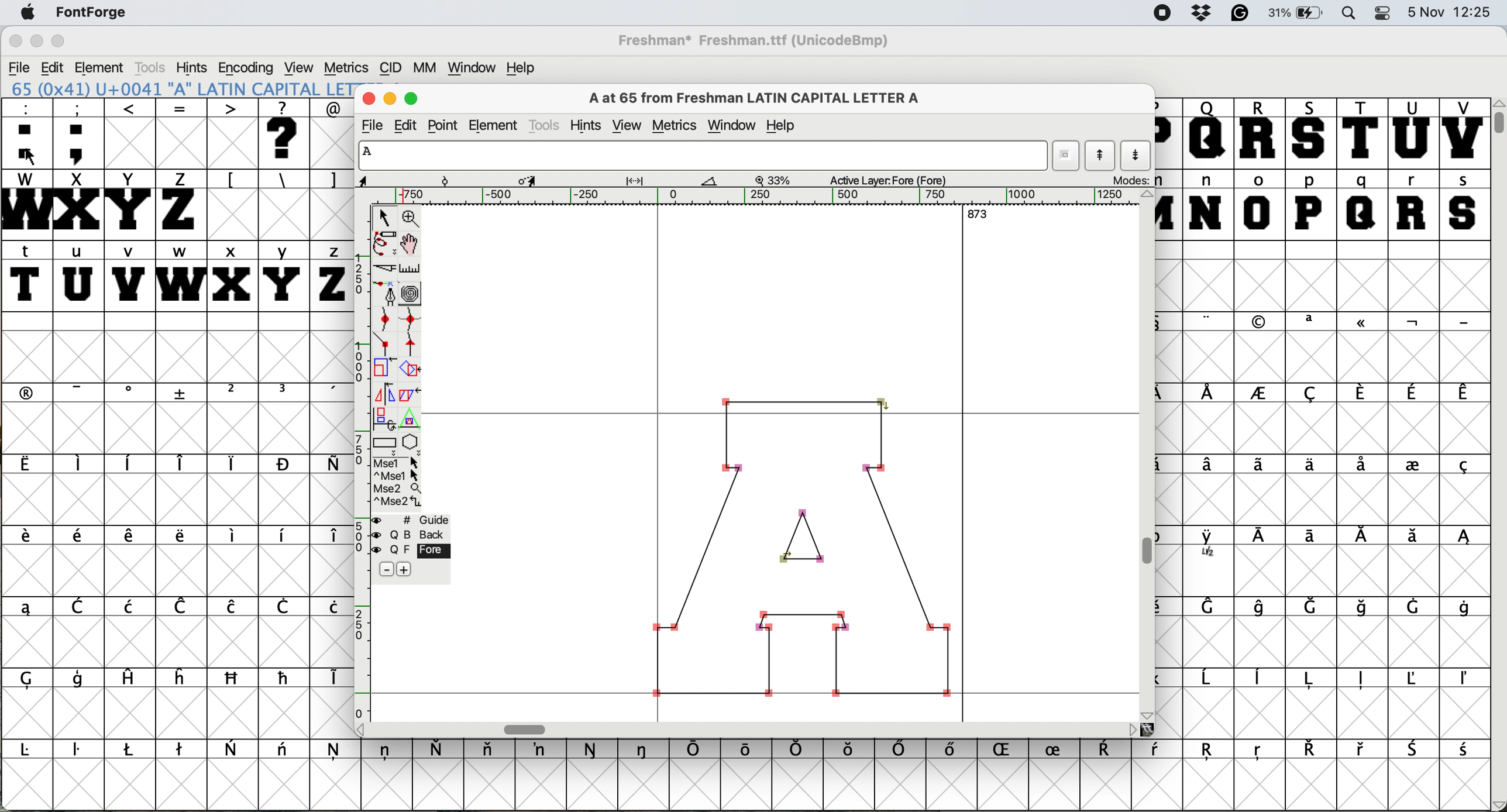  Describe the element at coordinates (1199, 13) in the screenshot. I see `dropbox` at that location.